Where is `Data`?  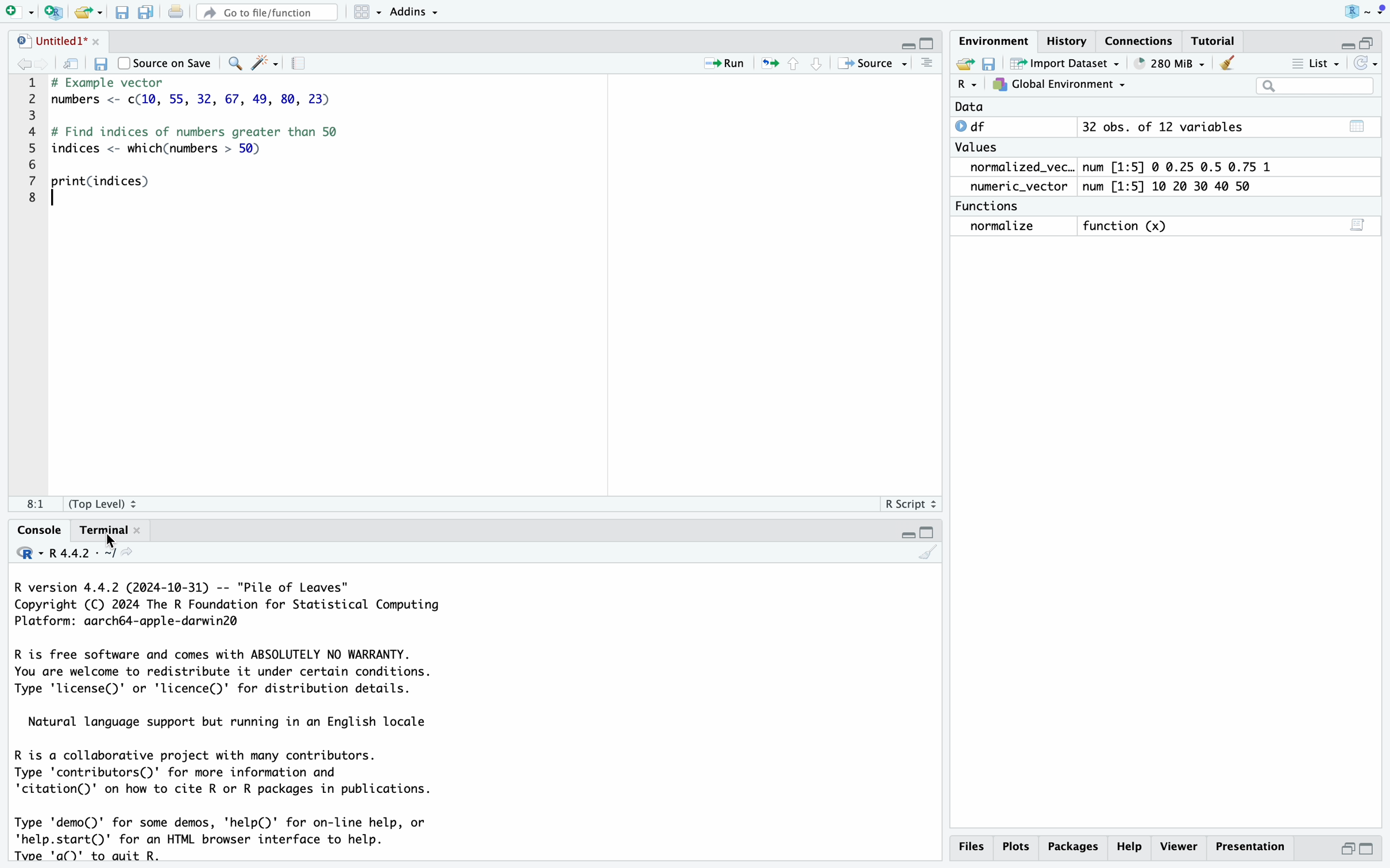 Data is located at coordinates (969, 107).